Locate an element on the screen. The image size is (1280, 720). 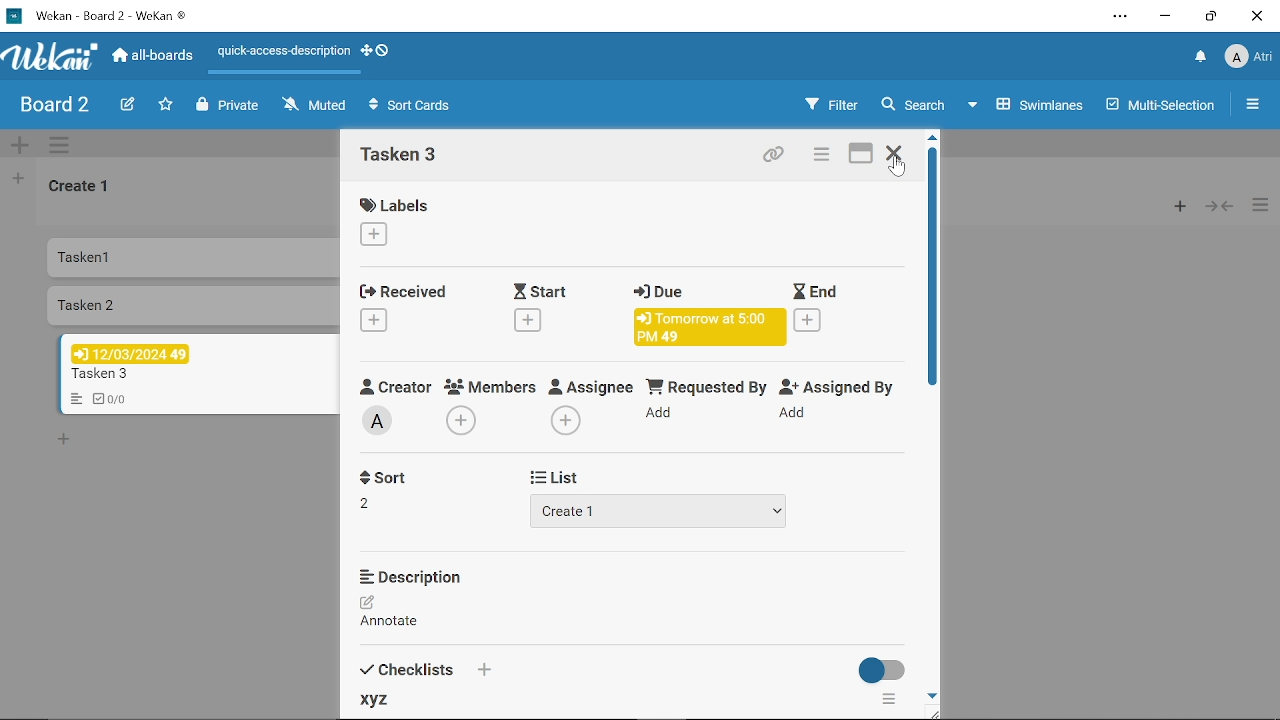
on/off is located at coordinates (881, 667).